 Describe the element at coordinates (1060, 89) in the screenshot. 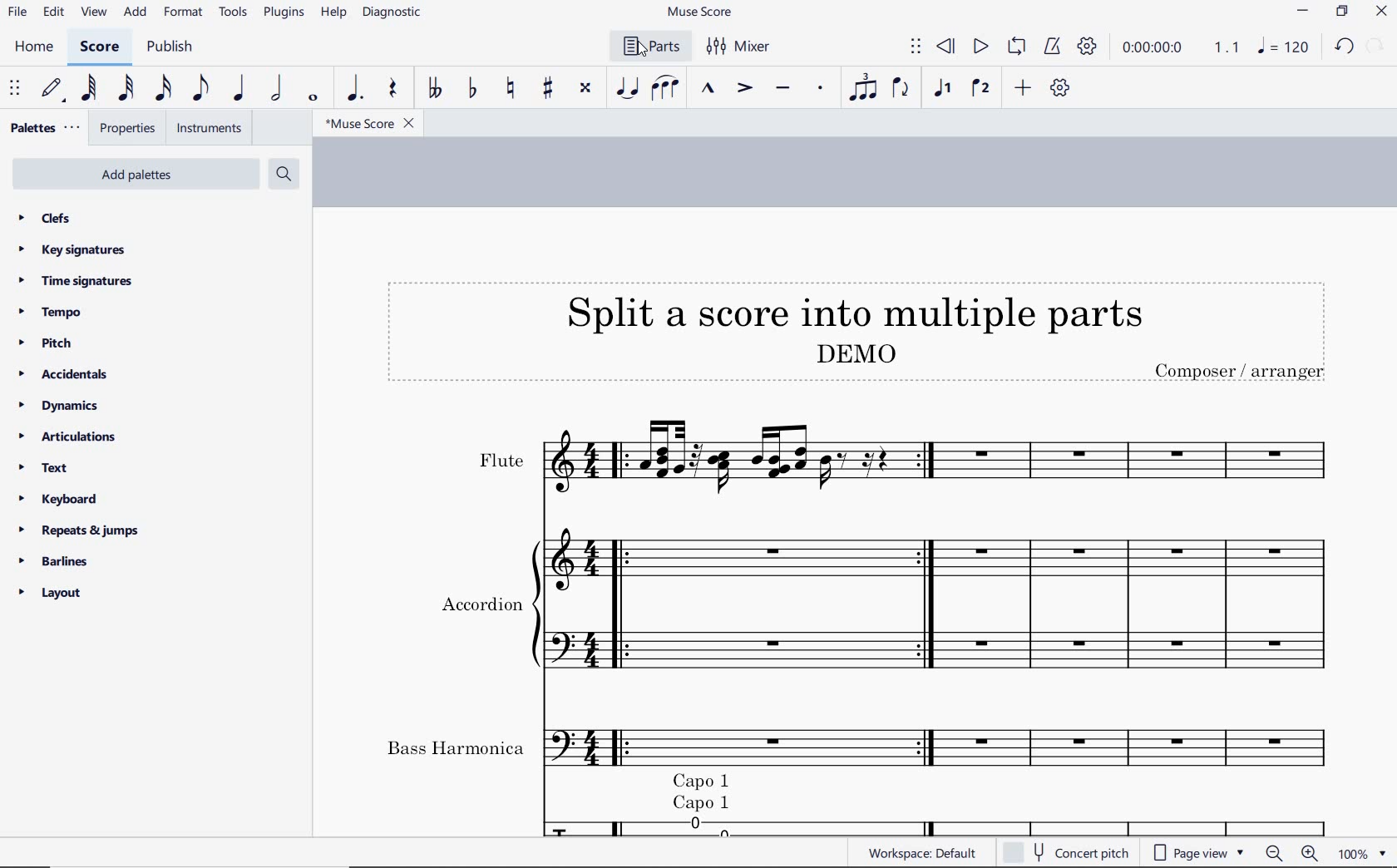

I see `customize toolbar` at that location.